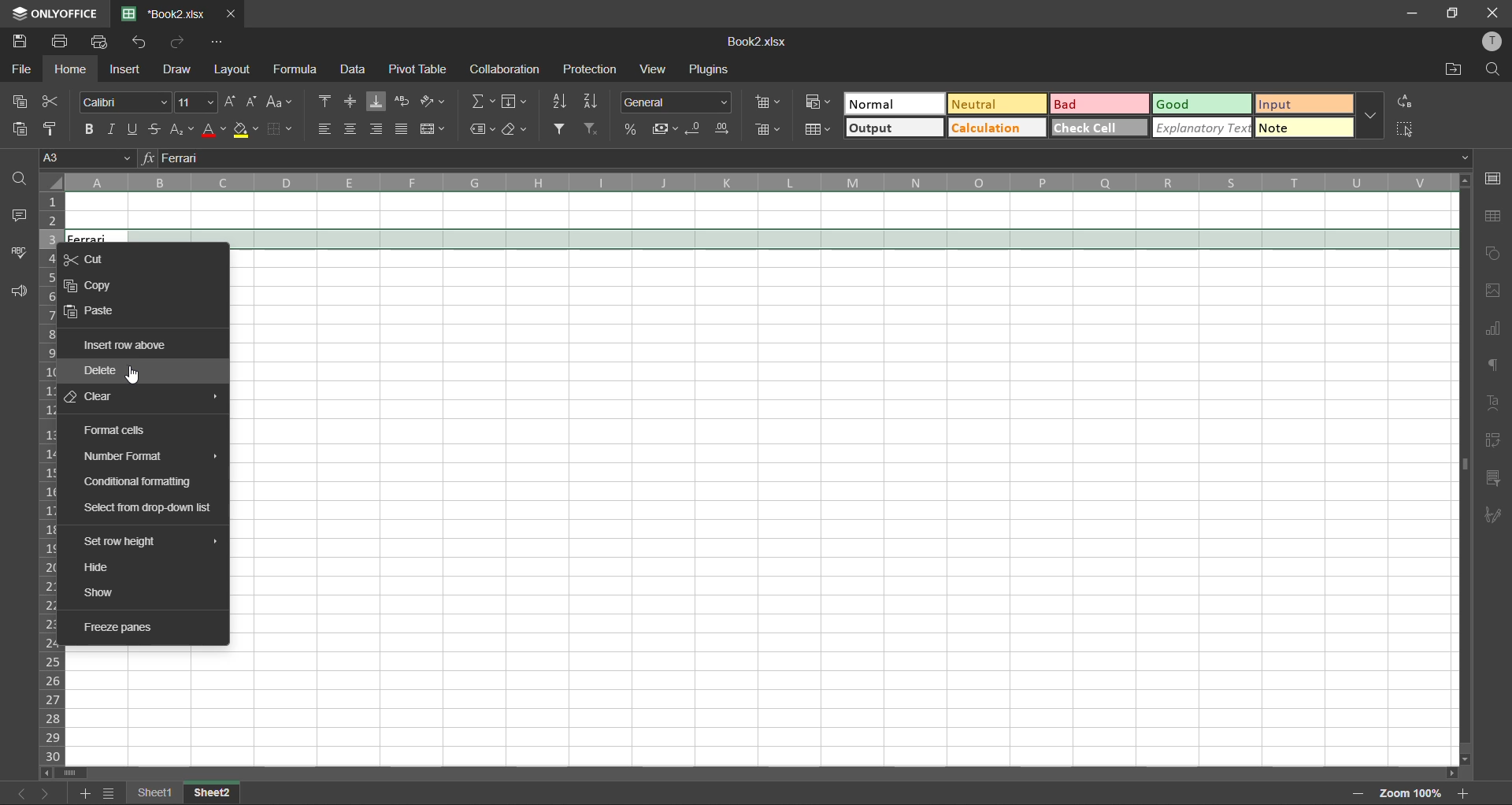 This screenshot has width=1512, height=805. I want to click on undo, so click(143, 44).